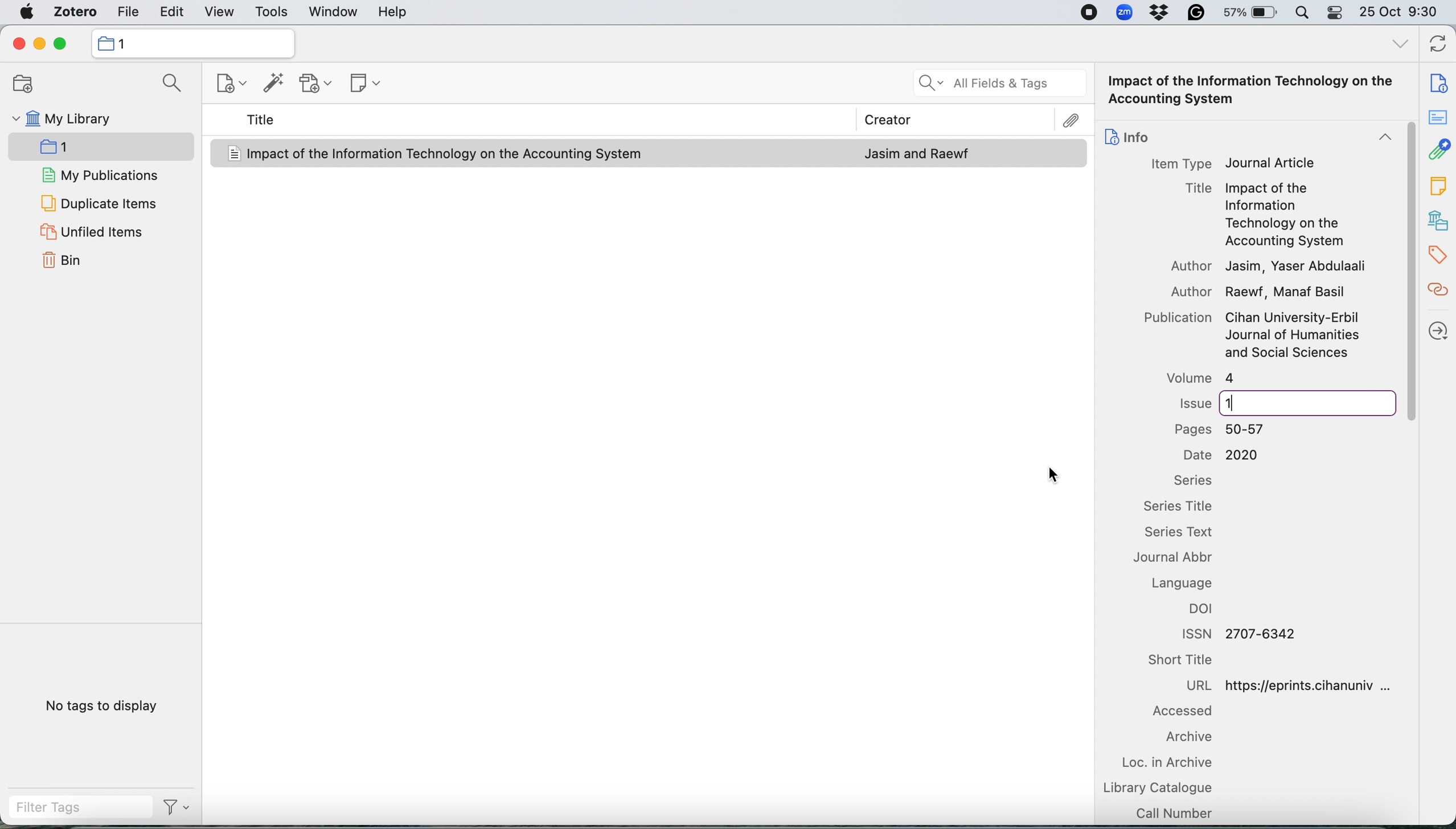  What do you see at coordinates (1287, 294) in the screenshot?
I see `Raewt, Manat Basil` at bounding box center [1287, 294].